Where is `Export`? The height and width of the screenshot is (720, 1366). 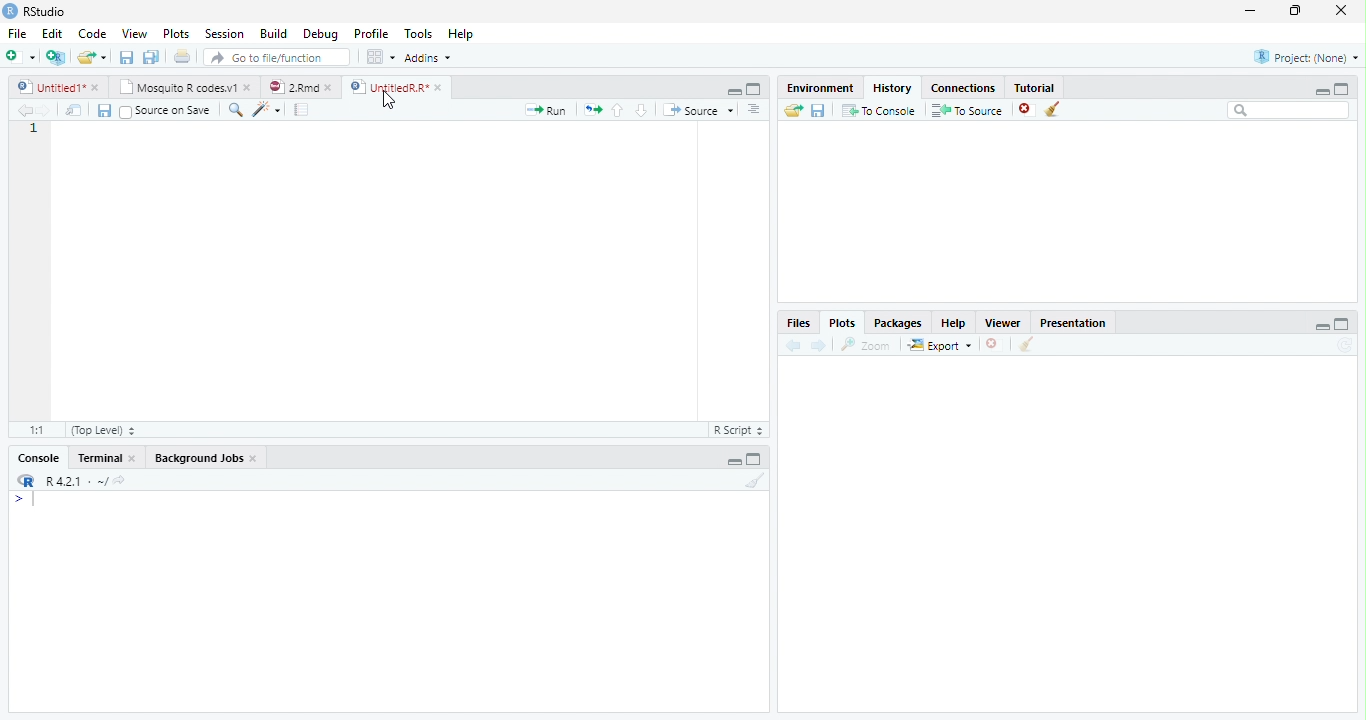
Export is located at coordinates (939, 347).